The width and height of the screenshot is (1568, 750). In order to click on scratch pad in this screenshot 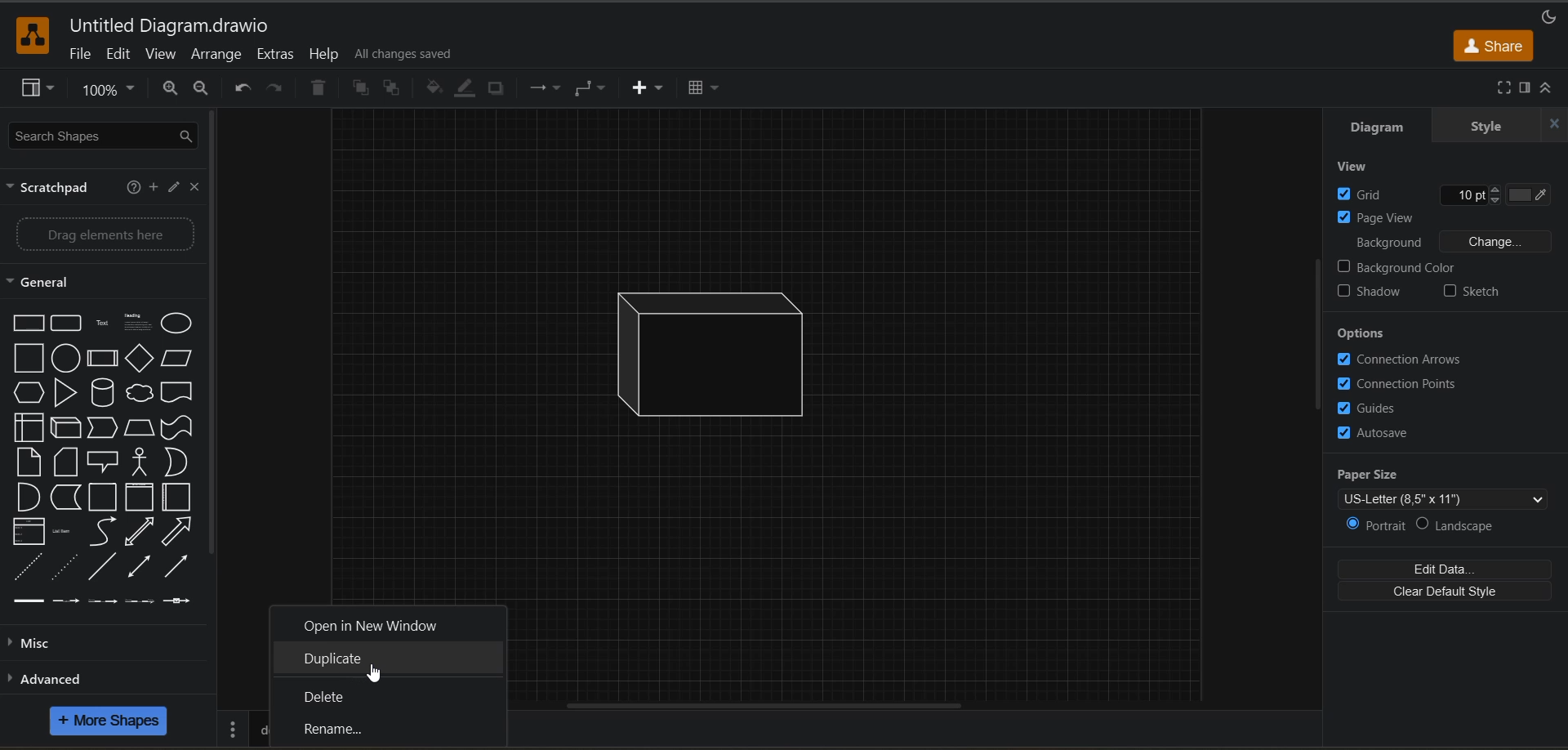, I will do `click(52, 190)`.